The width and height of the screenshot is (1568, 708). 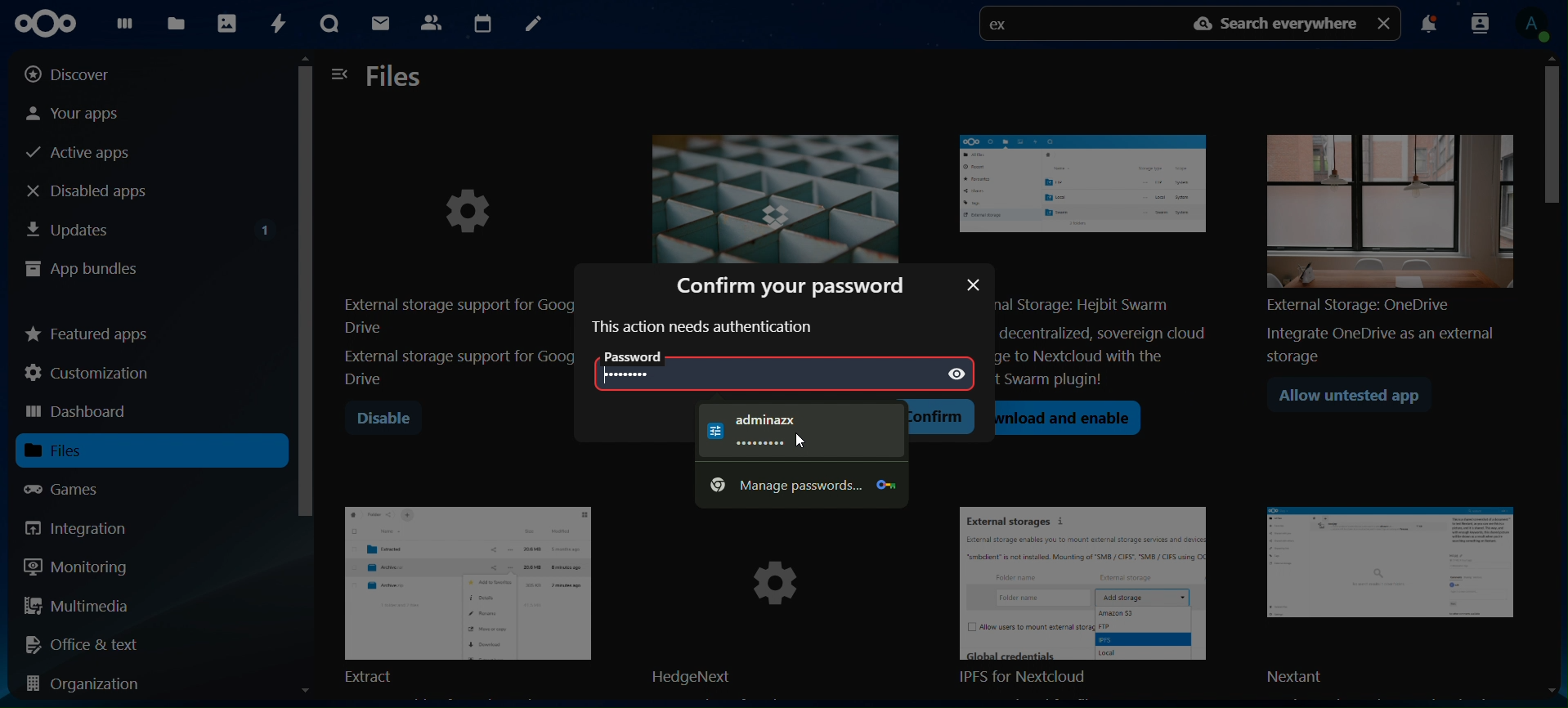 What do you see at coordinates (88, 528) in the screenshot?
I see `integration` at bounding box center [88, 528].